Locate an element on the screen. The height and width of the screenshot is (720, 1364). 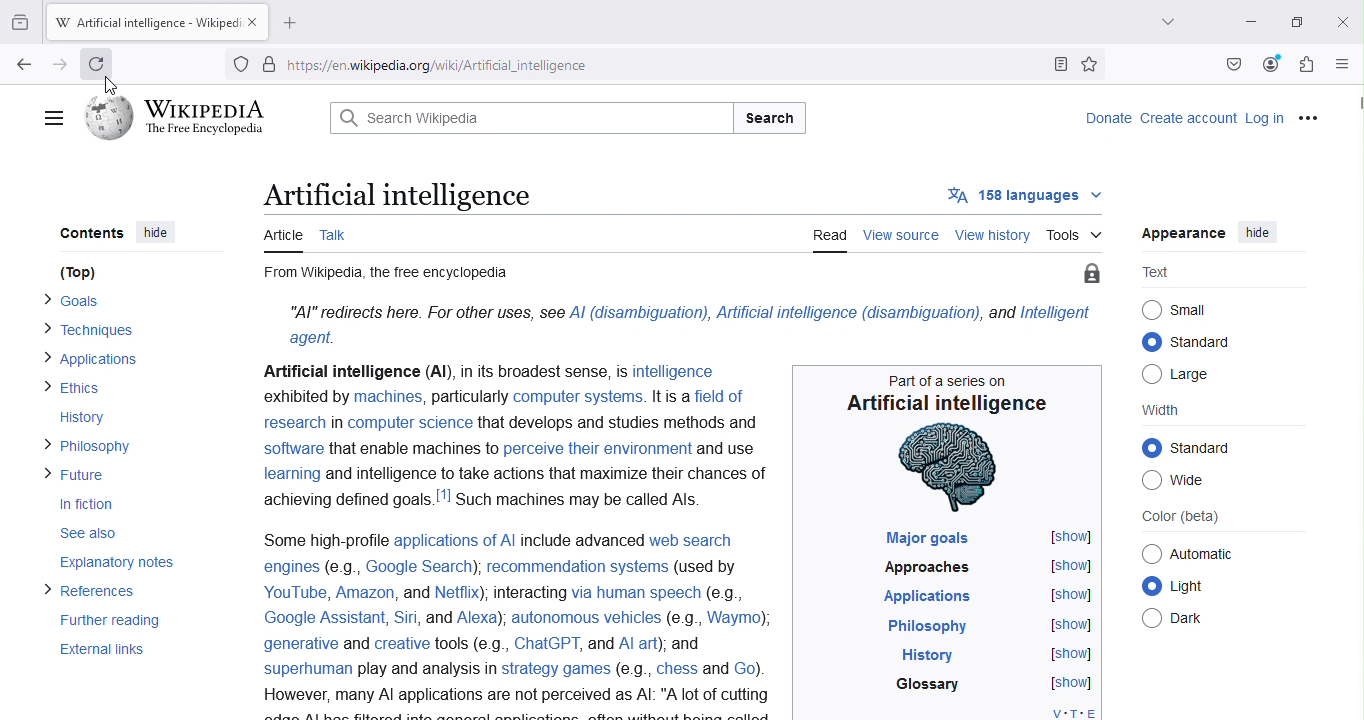
Main menu is located at coordinates (55, 119).